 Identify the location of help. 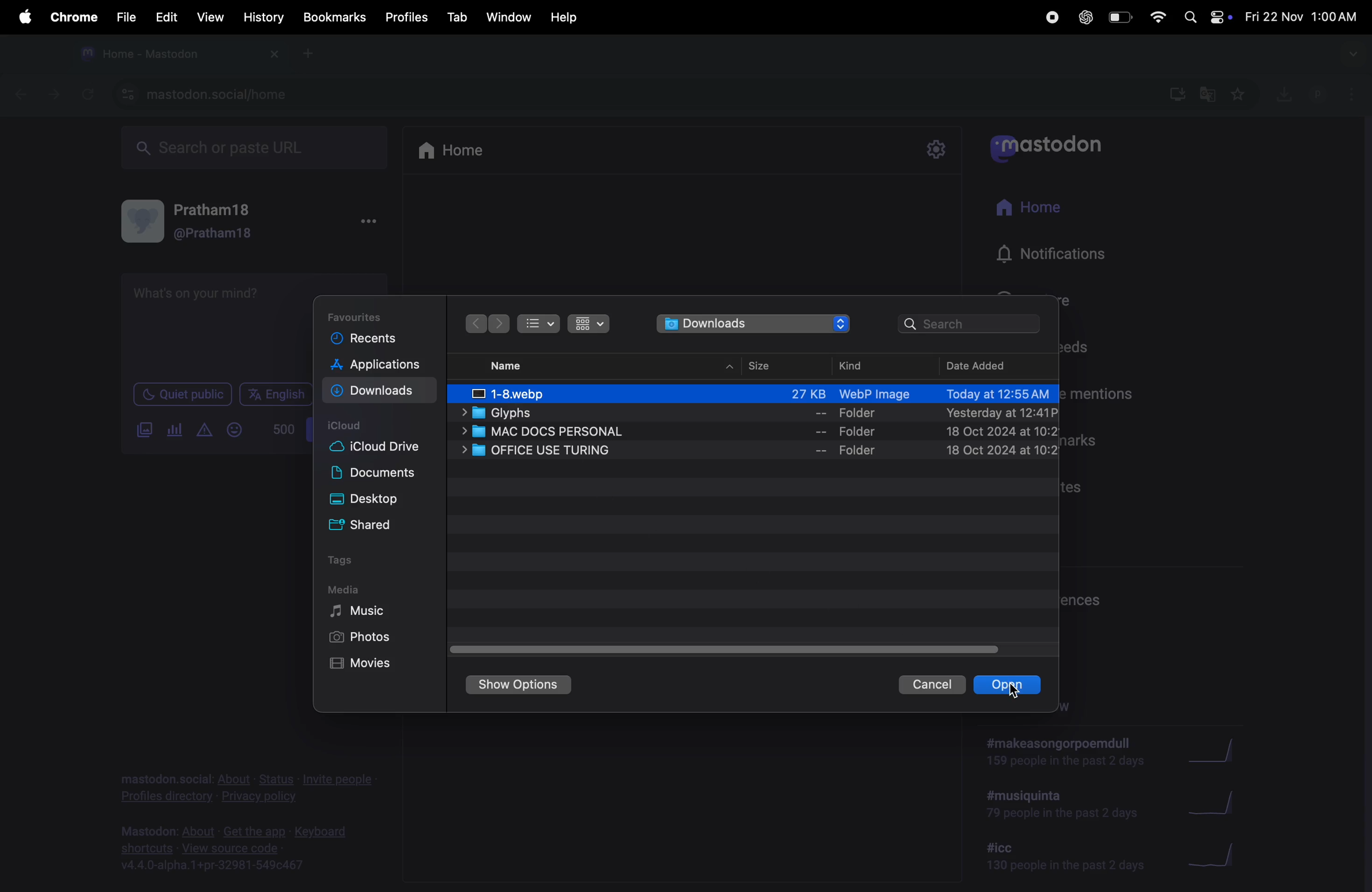
(566, 18).